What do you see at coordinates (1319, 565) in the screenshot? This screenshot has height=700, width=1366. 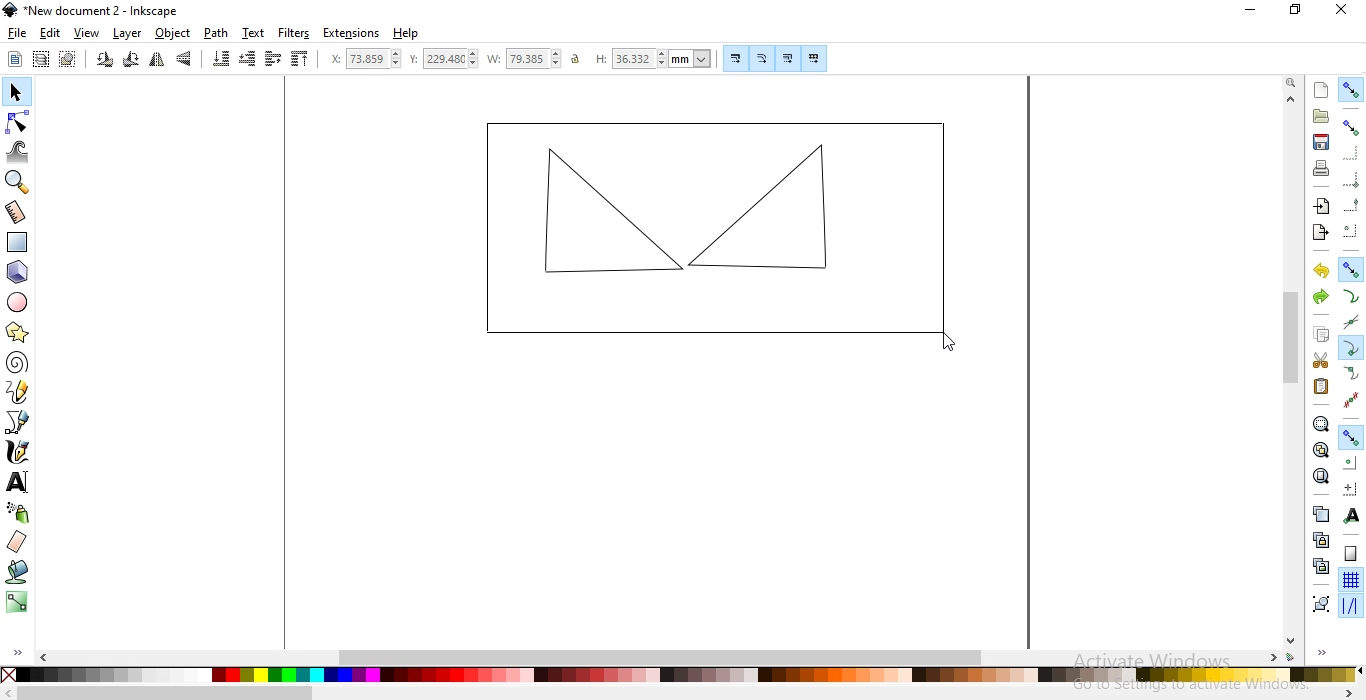 I see `cut the selected clone` at bounding box center [1319, 565].